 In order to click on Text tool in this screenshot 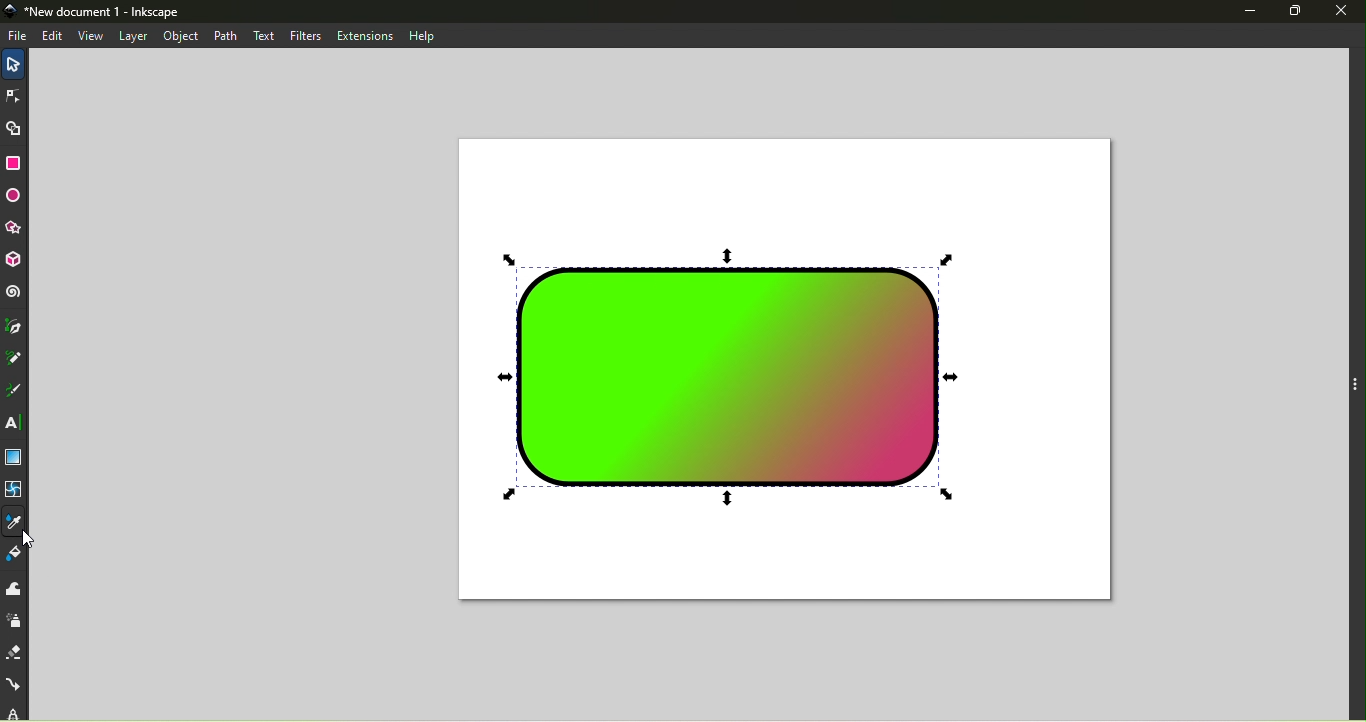, I will do `click(15, 424)`.